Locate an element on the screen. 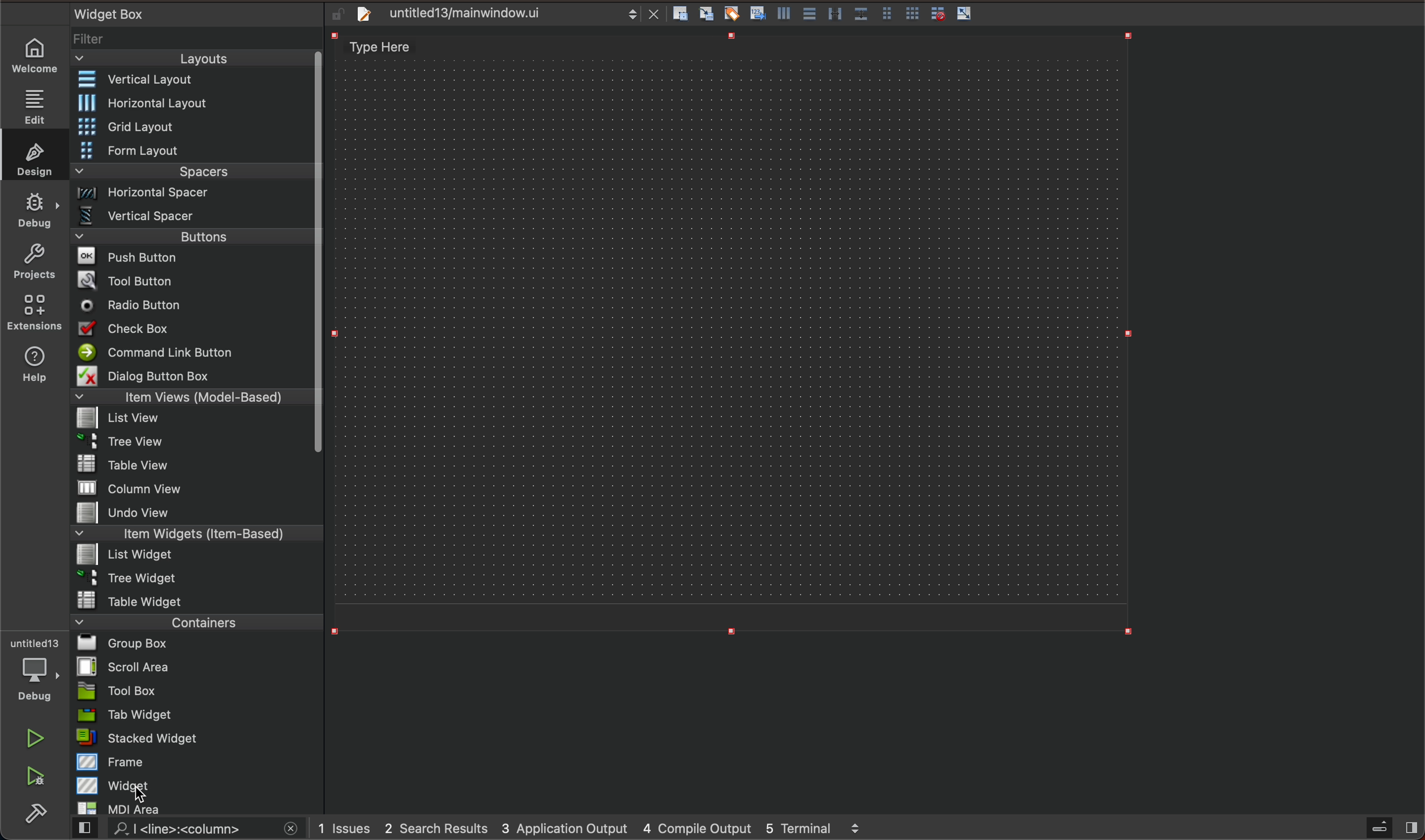  vertical layout is located at coordinates (192, 79).